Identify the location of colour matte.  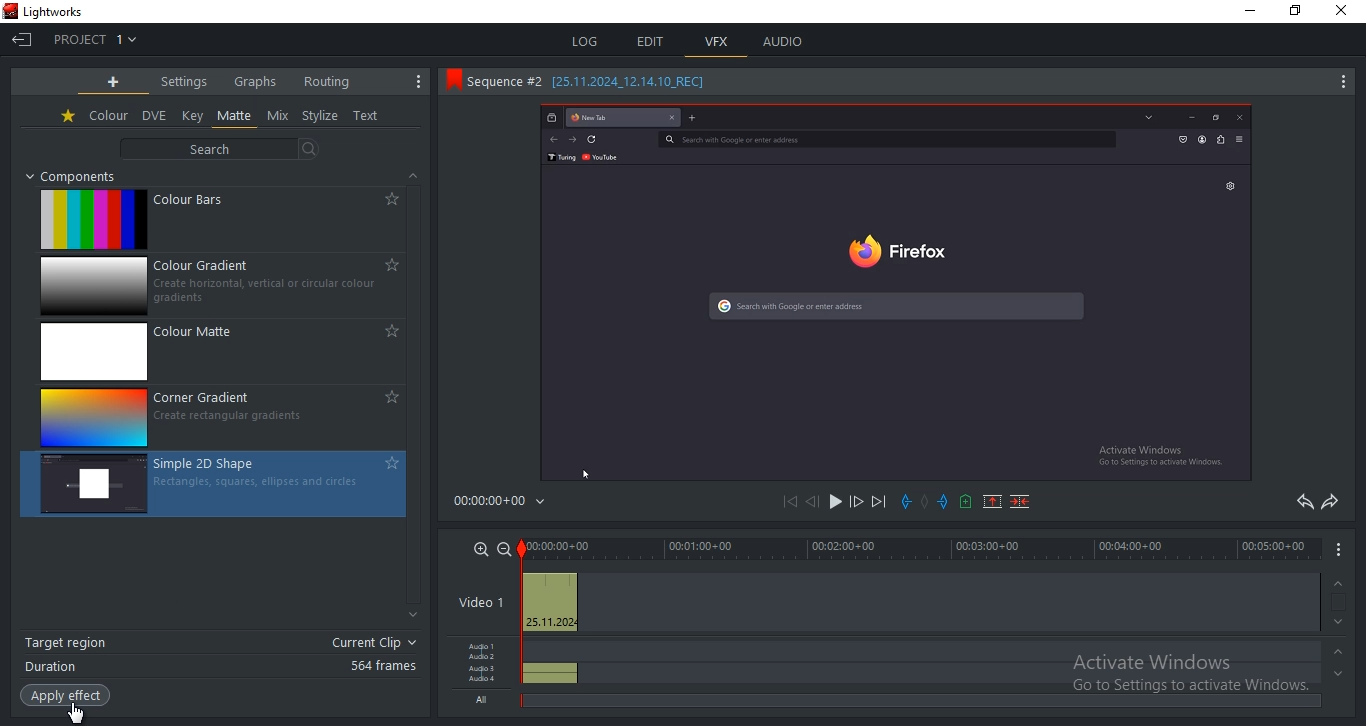
(225, 352).